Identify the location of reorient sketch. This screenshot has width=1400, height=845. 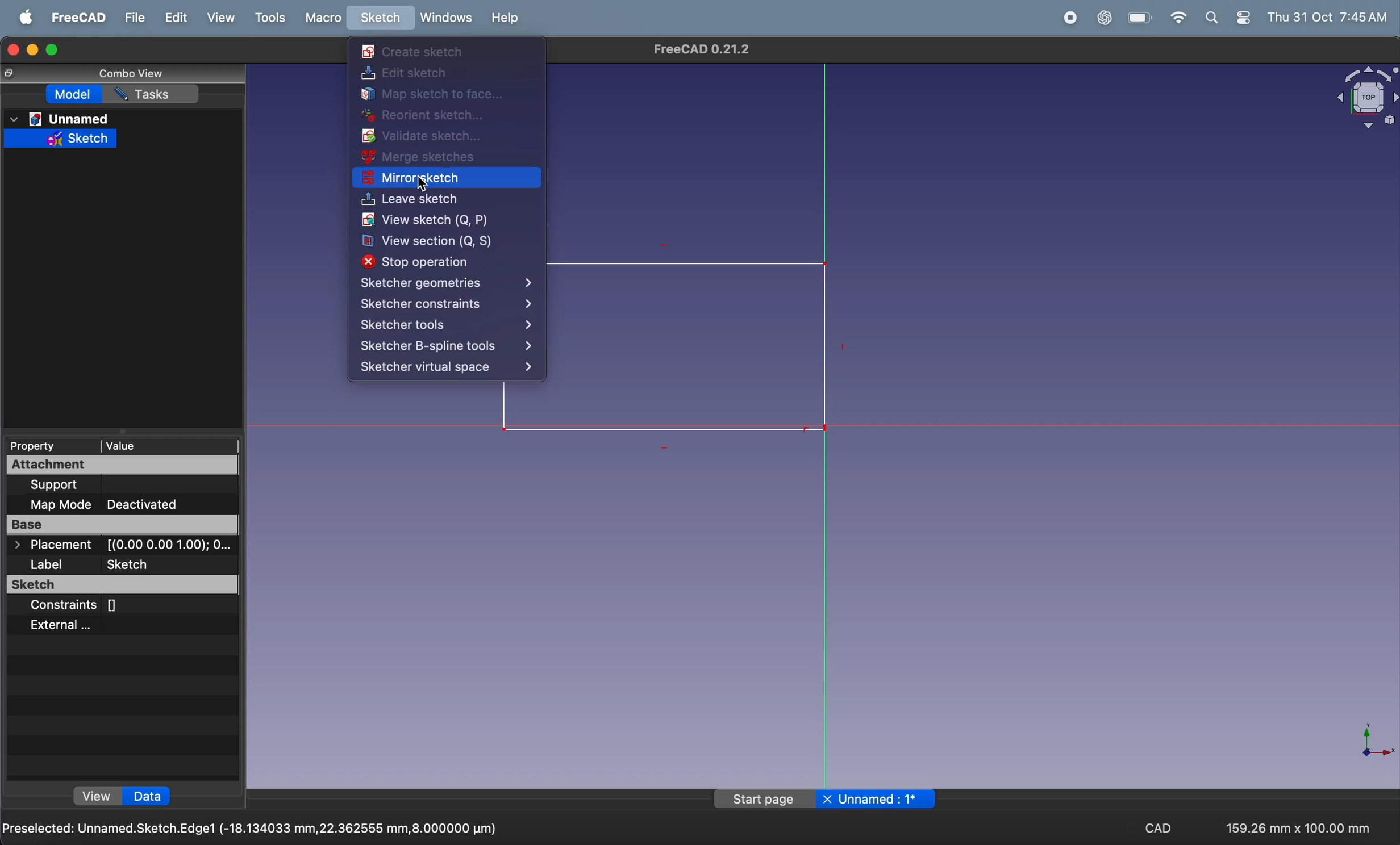
(430, 114).